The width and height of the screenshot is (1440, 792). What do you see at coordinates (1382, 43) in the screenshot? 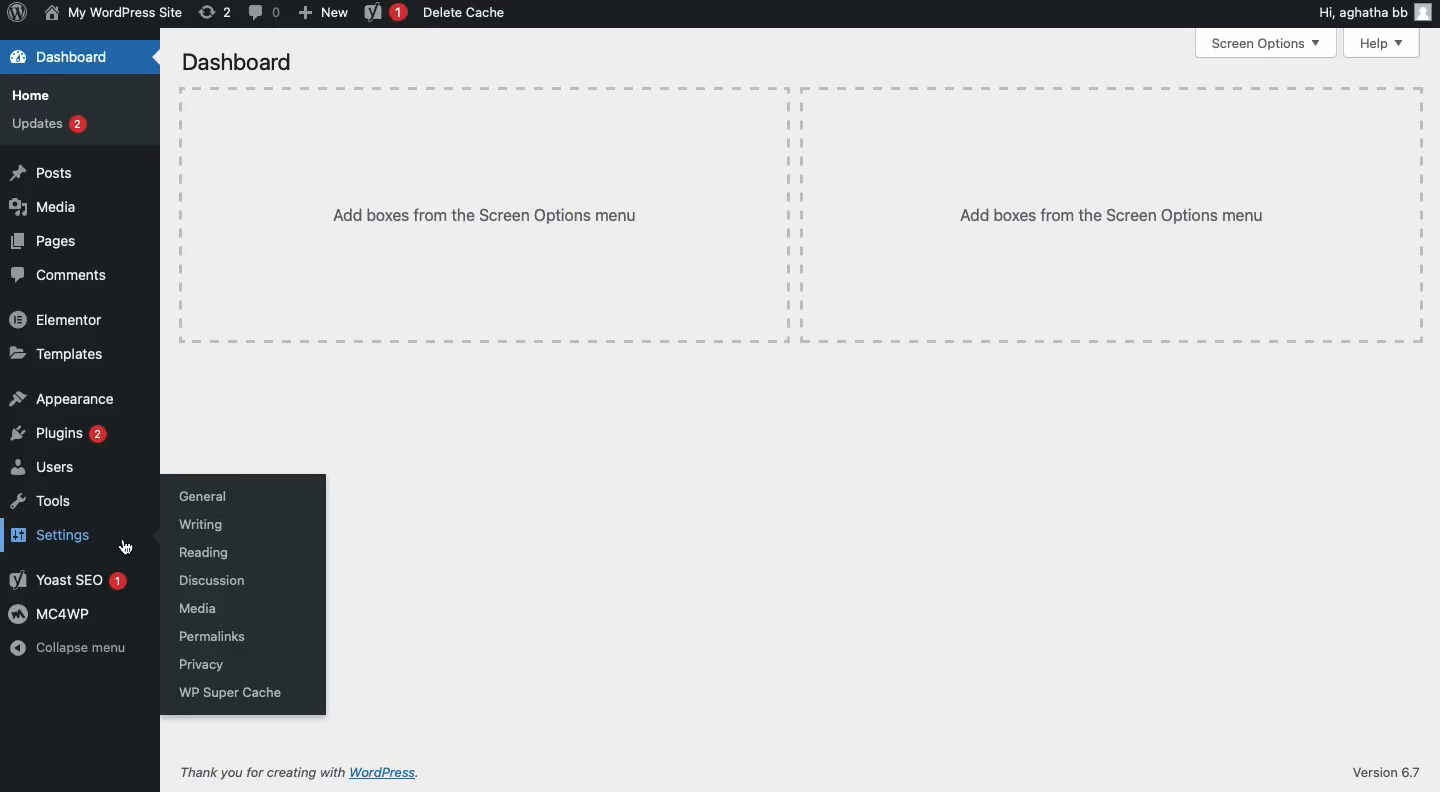
I see `Help` at bounding box center [1382, 43].